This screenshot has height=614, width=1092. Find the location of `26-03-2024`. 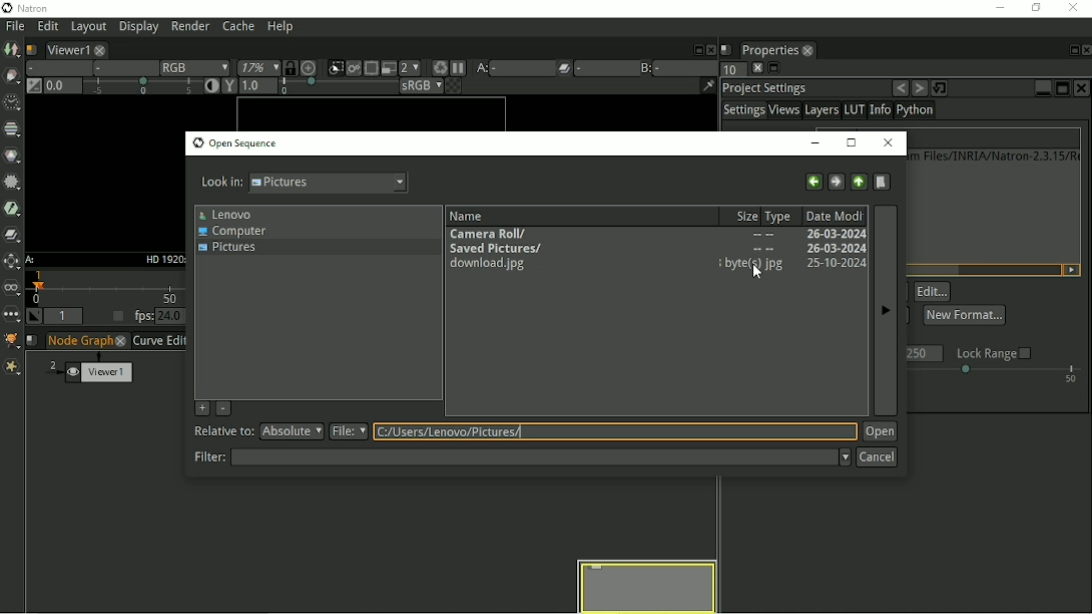

26-03-2024 is located at coordinates (834, 234).